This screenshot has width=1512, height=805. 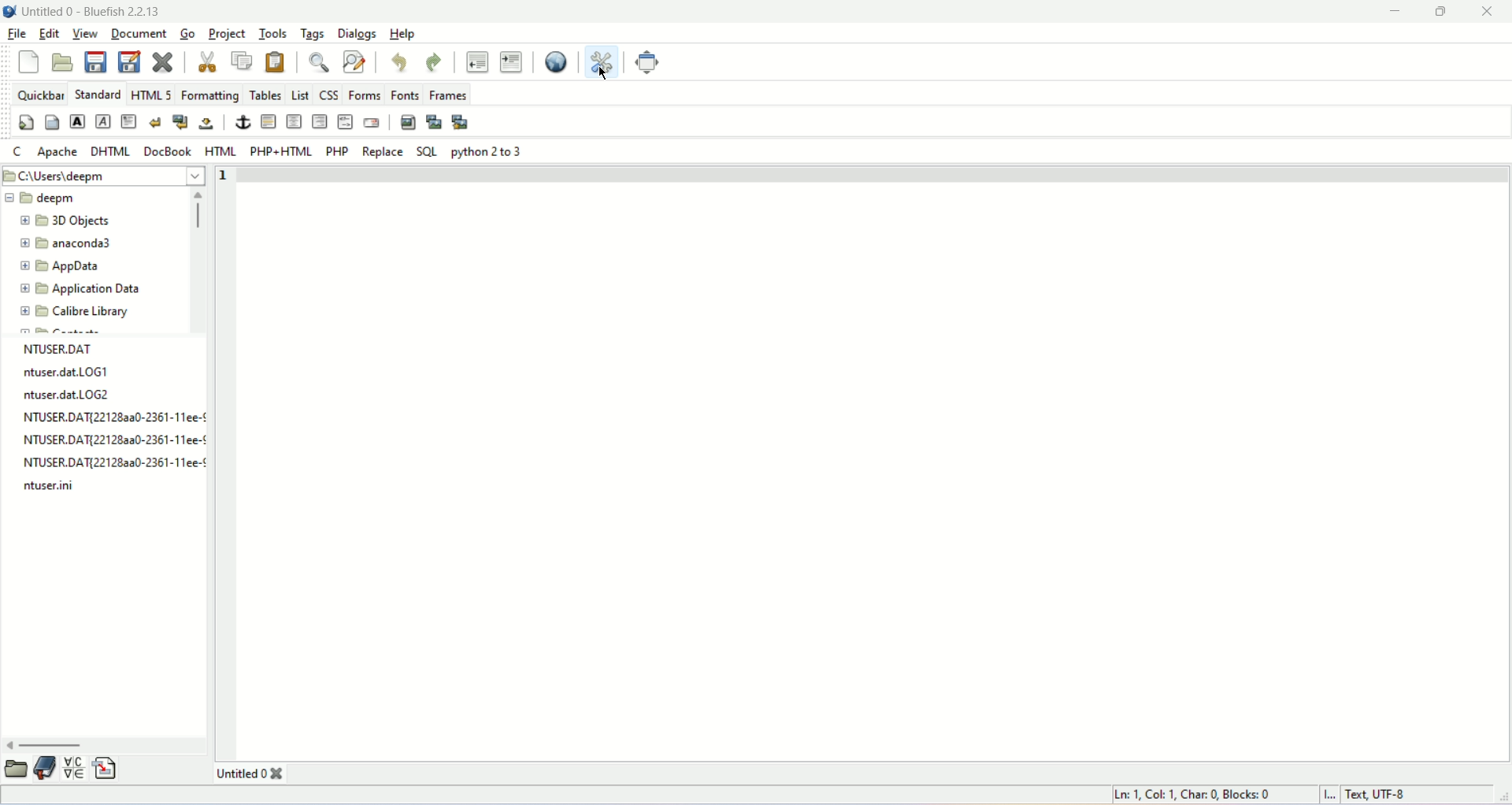 I want to click on NTUSER.DAT{22128aa0-2361-11ee-¢, so click(x=109, y=463).